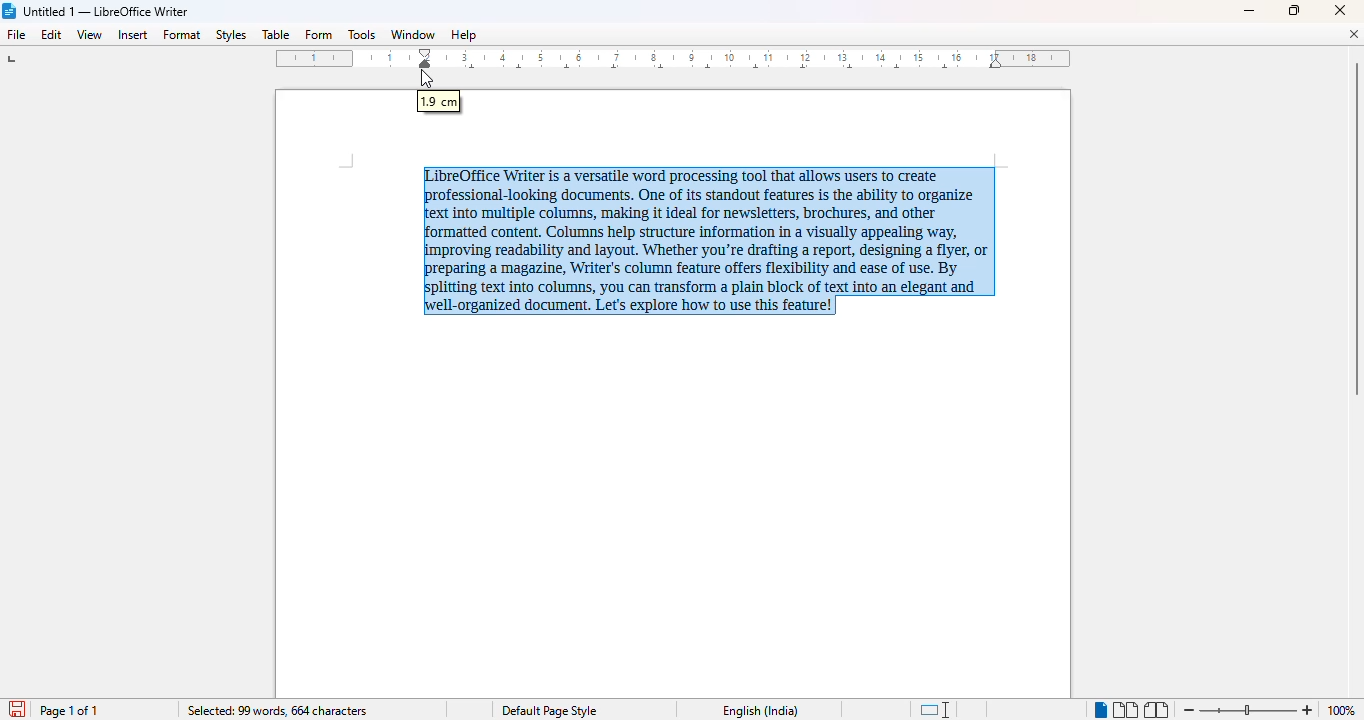 The width and height of the screenshot is (1364, 720). I want to click on page 1 of 1, so click(72, 711).